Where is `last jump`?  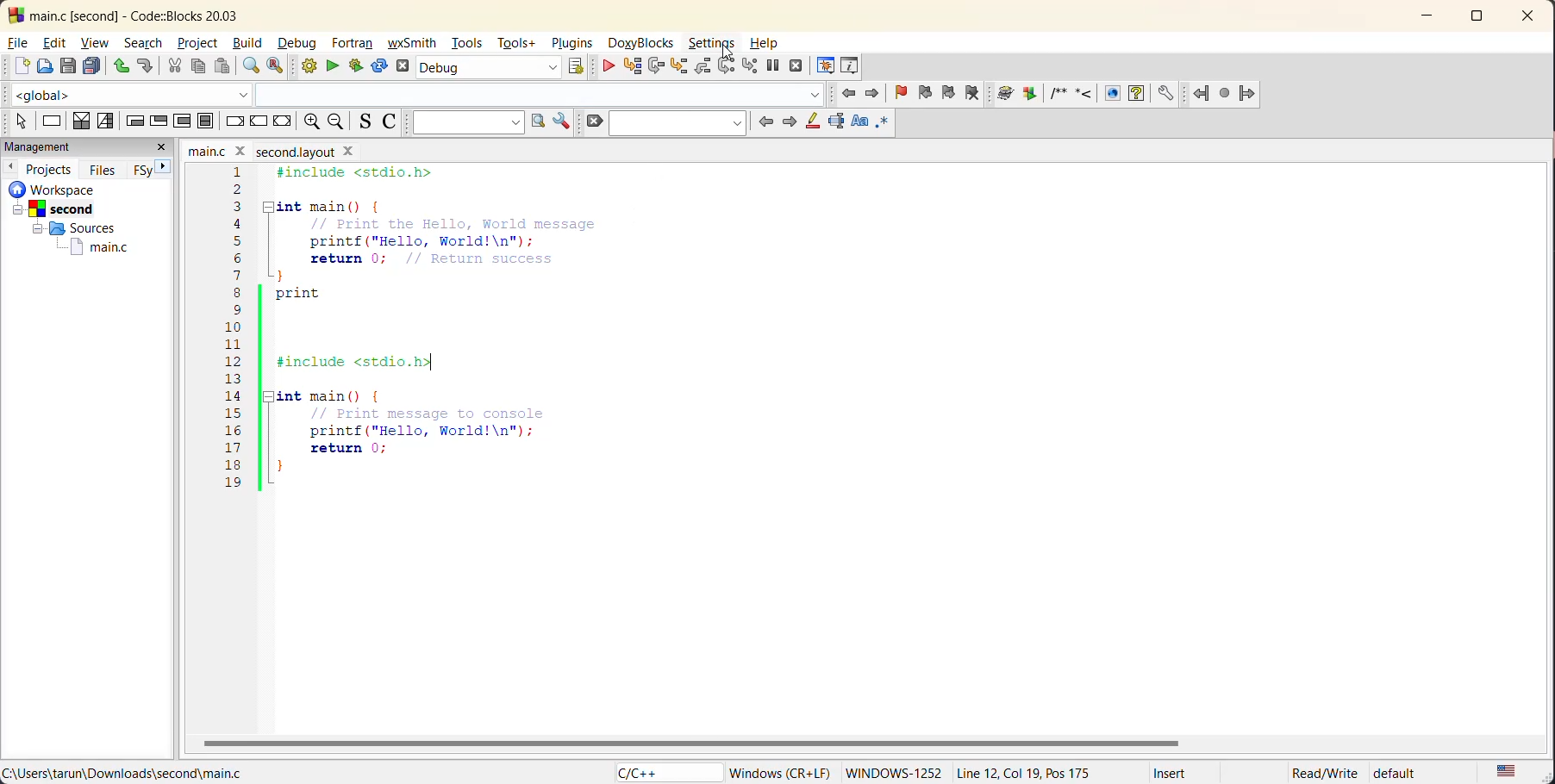 last jump is located at coordinates (1226, 94).